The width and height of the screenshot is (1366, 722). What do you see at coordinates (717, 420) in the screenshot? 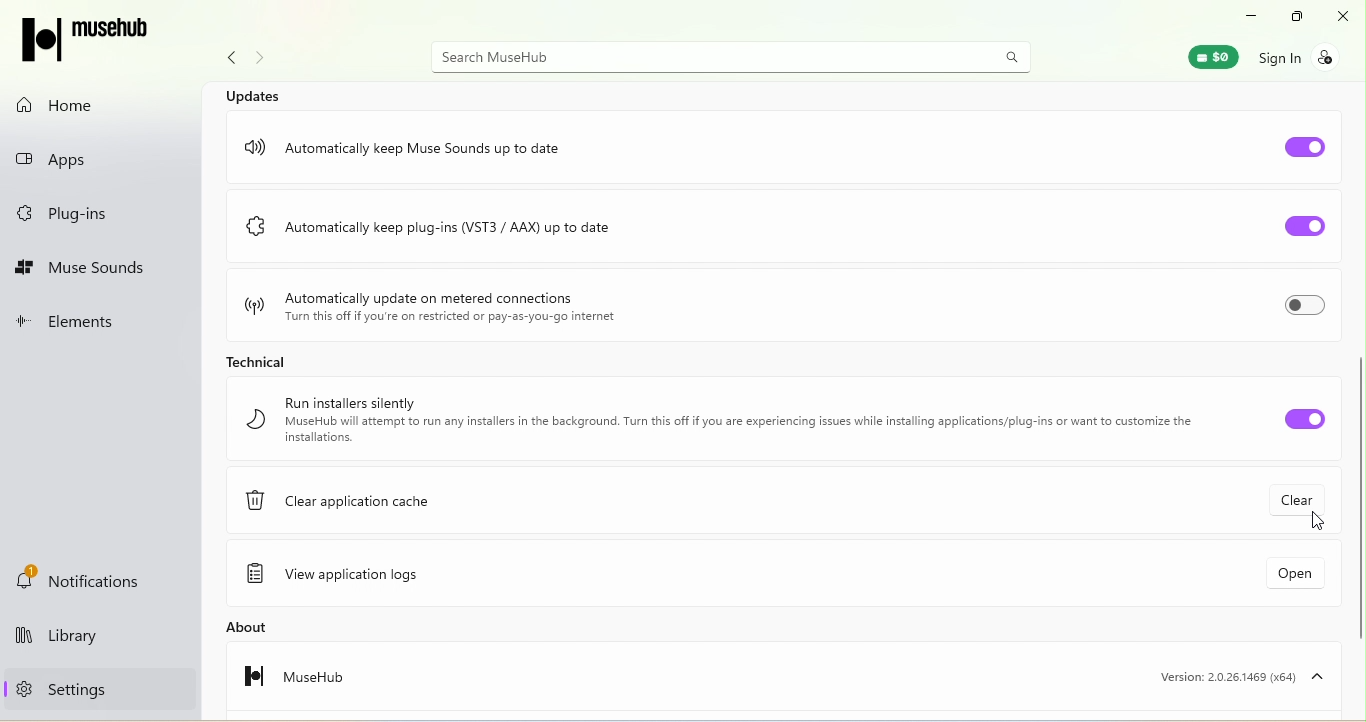
I see `Run installers silently MuseHub will attempt to run any installers in the background. Turn this off if you are experiencing issues while installing applications plug-ins or want to customize the installations.` at bounding box center [717, 420].